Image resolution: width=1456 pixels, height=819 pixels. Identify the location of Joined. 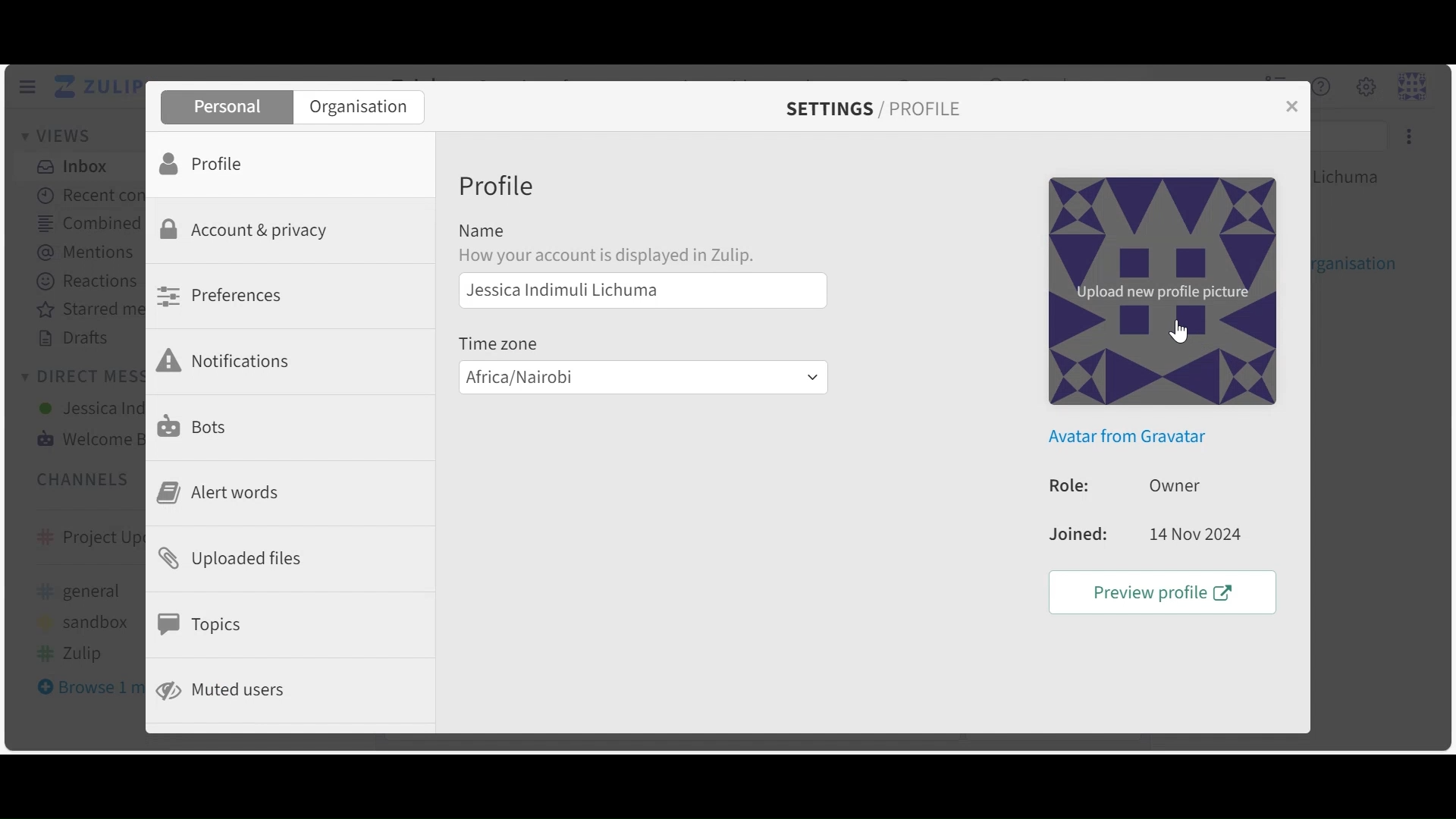
(1141, 535).